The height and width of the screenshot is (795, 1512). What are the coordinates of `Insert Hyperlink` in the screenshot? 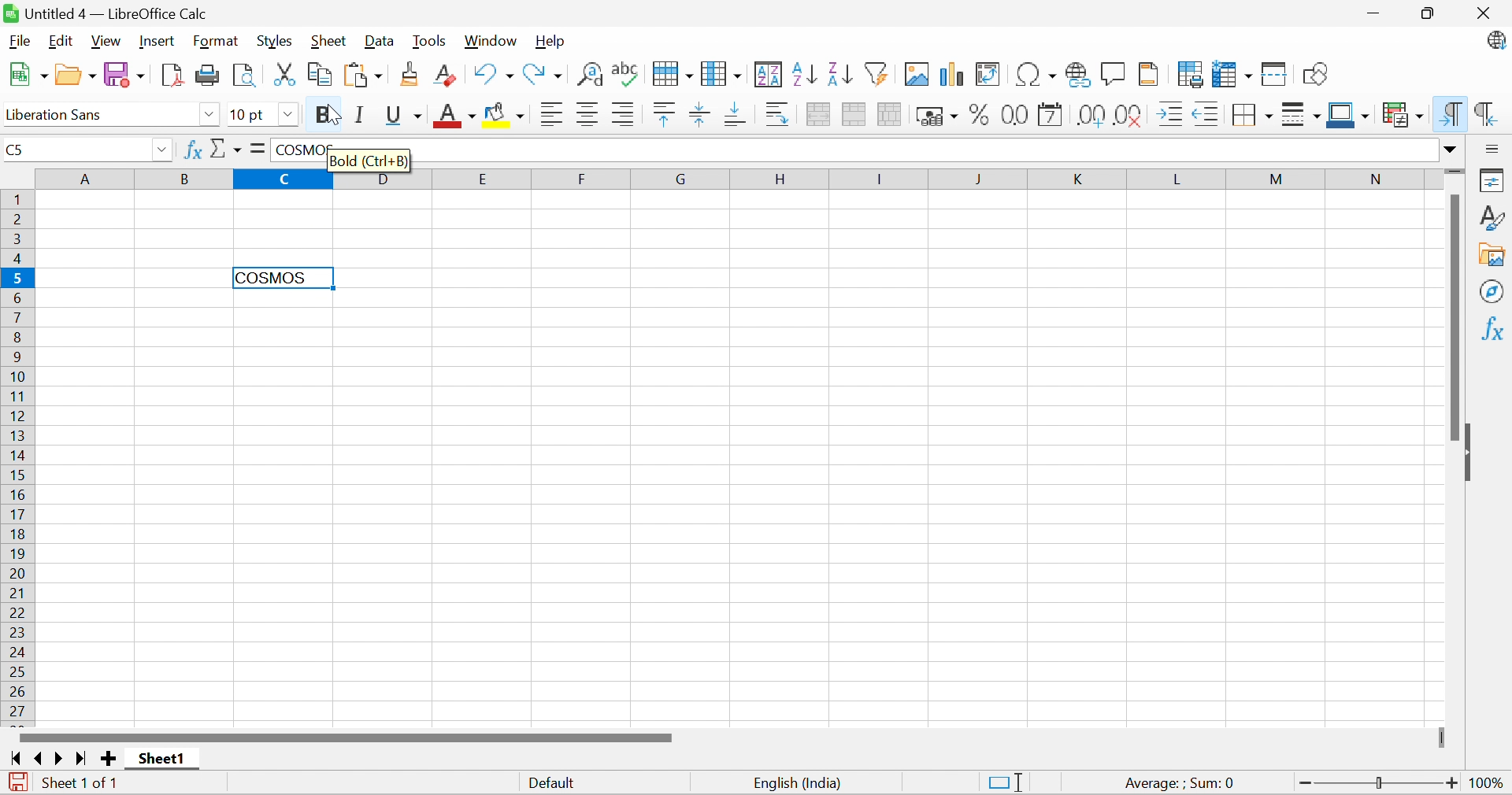 It's located at (1080, 75).